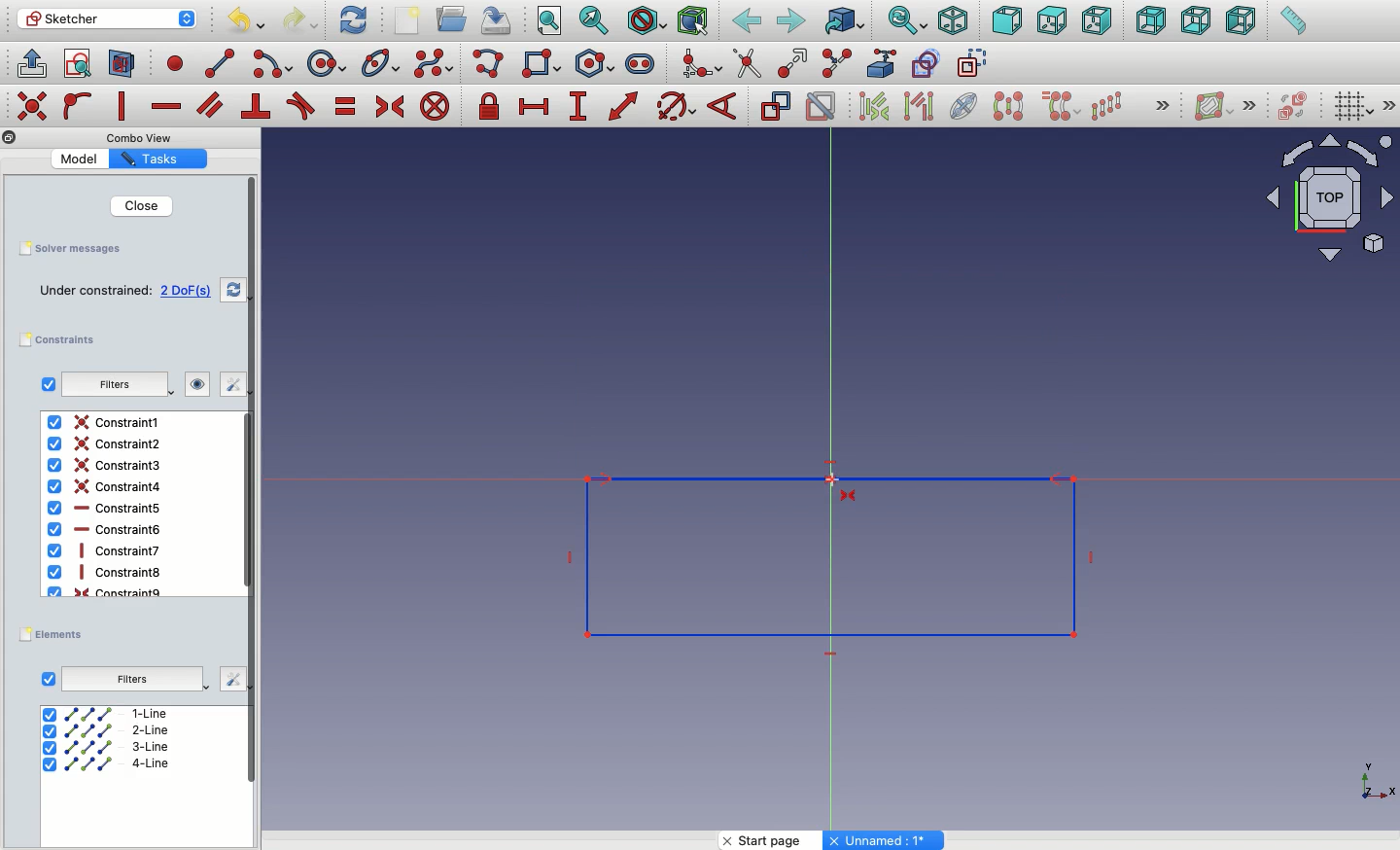  Describe the element at coordinates (1100, 20) in the screenshot. I see `Right` at that location.